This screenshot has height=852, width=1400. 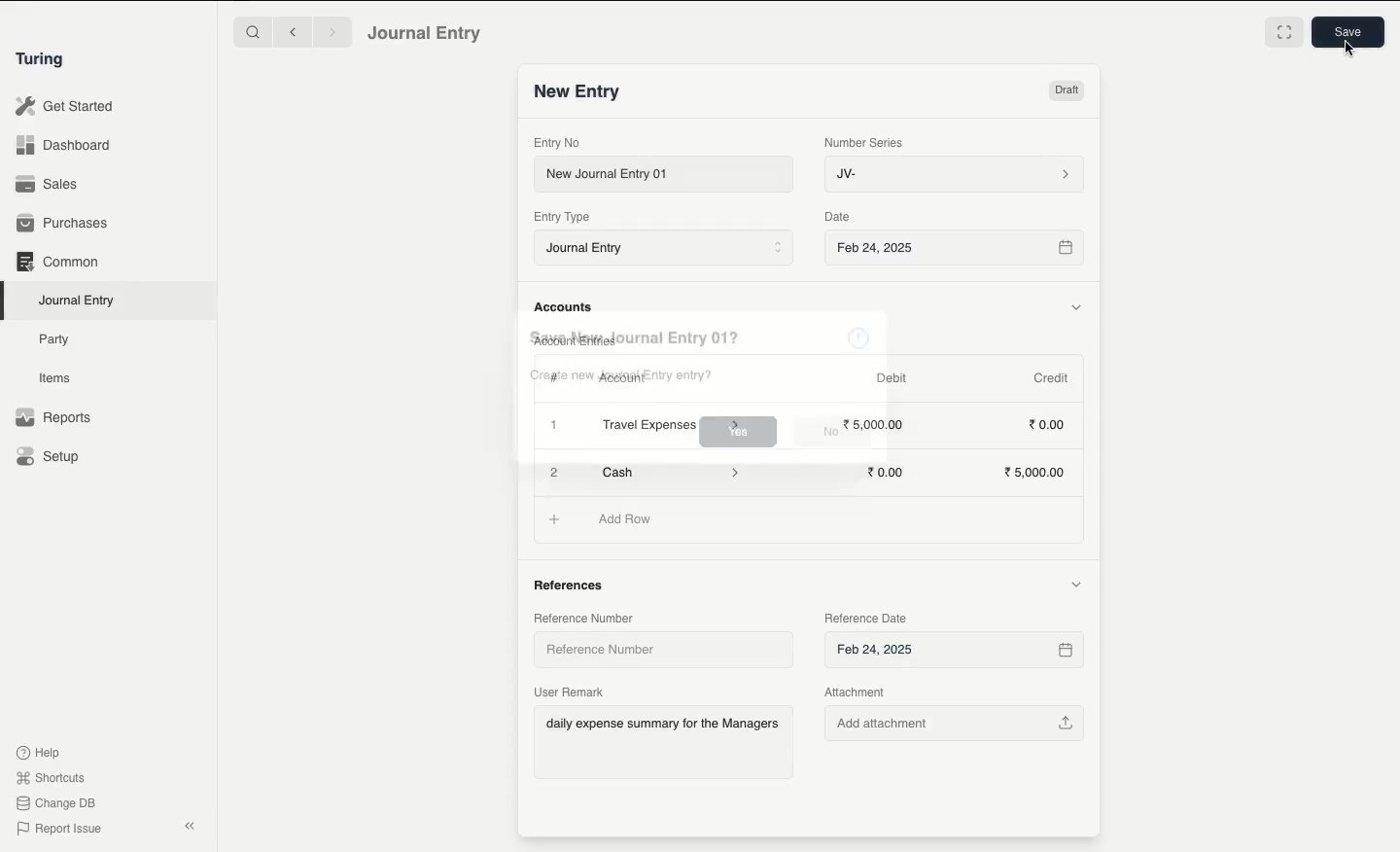 I want to click on Journal Entry, so click(x=426, y=34).